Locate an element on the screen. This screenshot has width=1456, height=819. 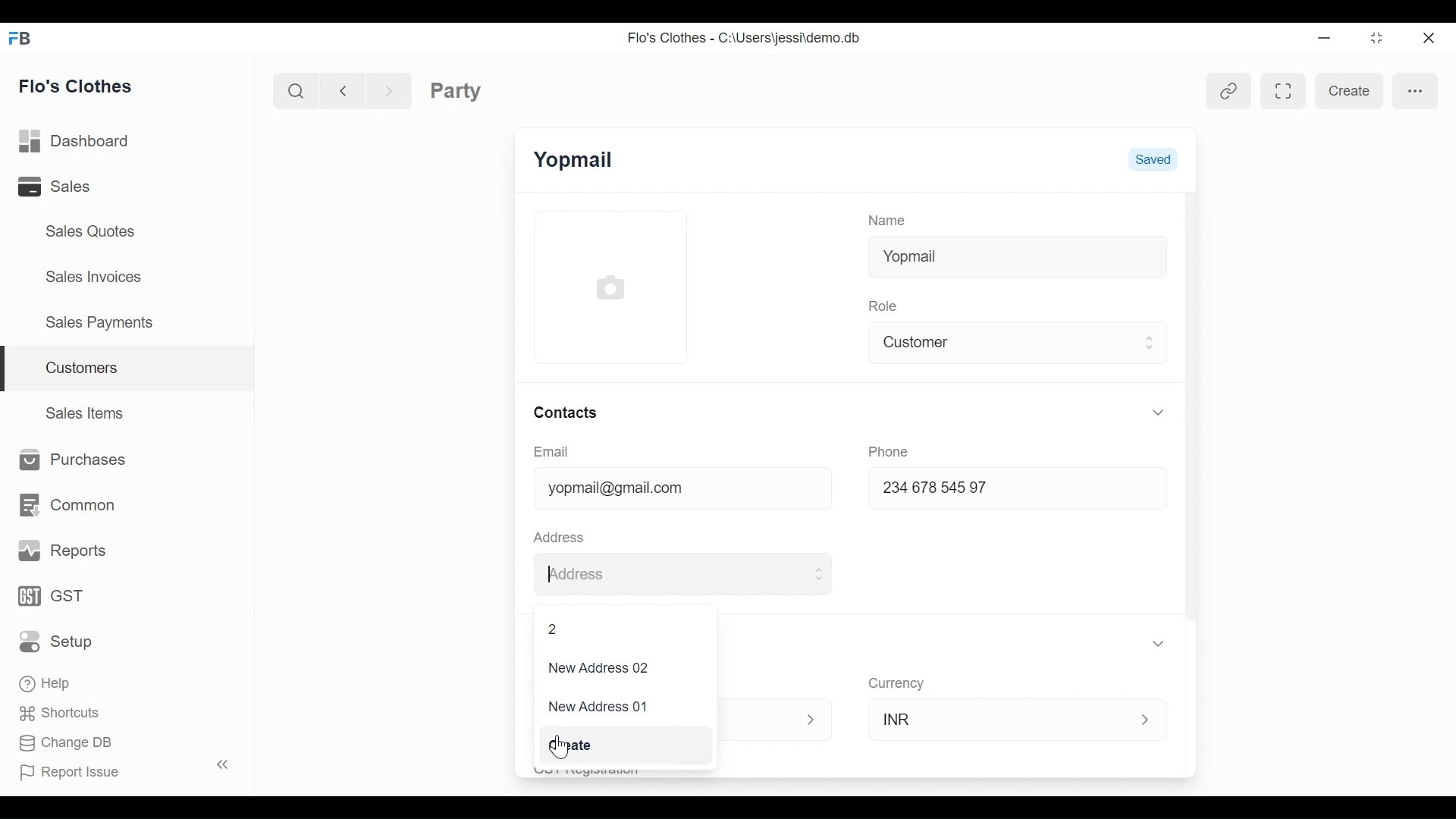
Address is located at coordinates (558, 537).